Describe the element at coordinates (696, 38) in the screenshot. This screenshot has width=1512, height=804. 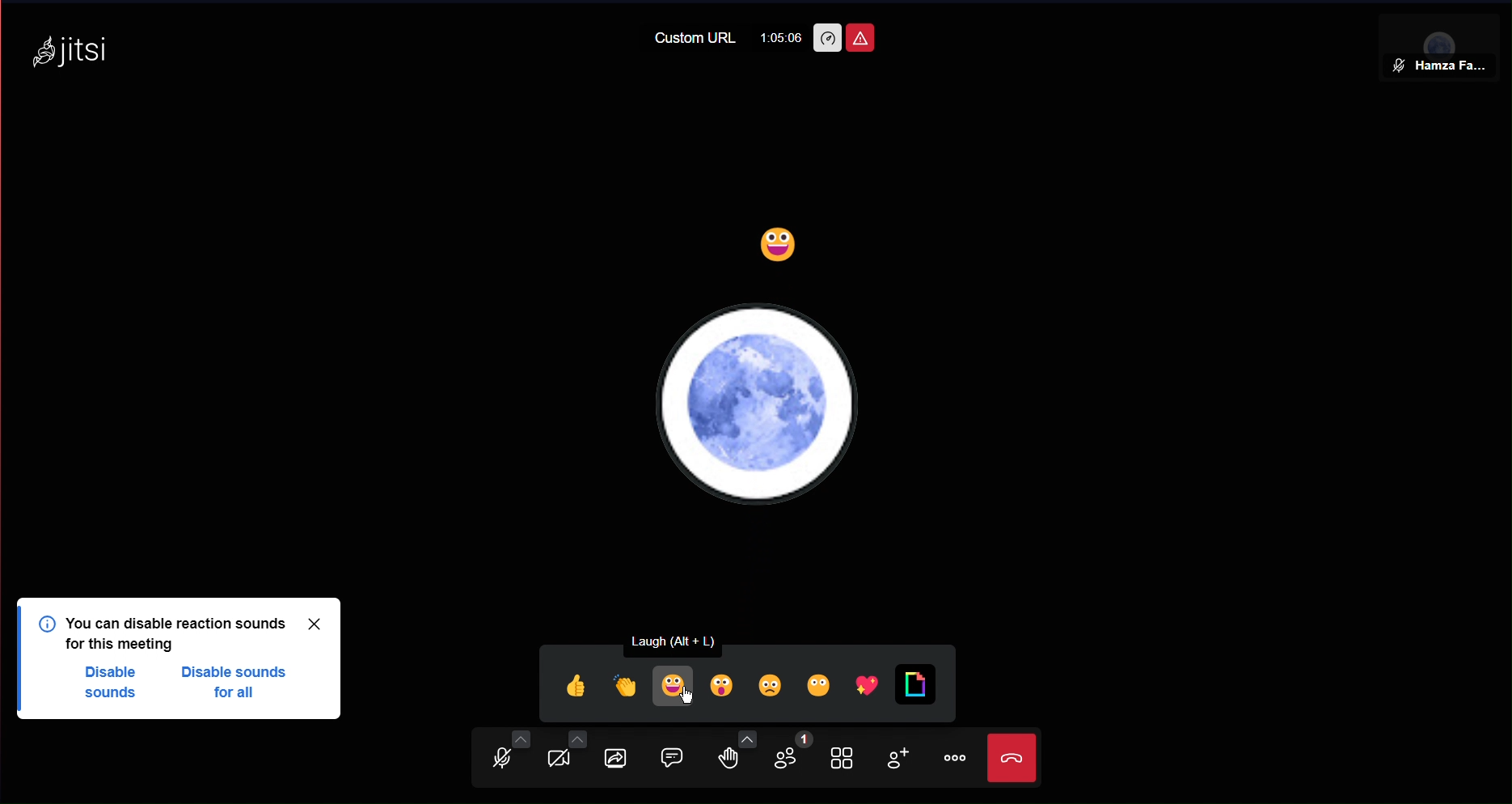
I see `Custom URL` at that location.